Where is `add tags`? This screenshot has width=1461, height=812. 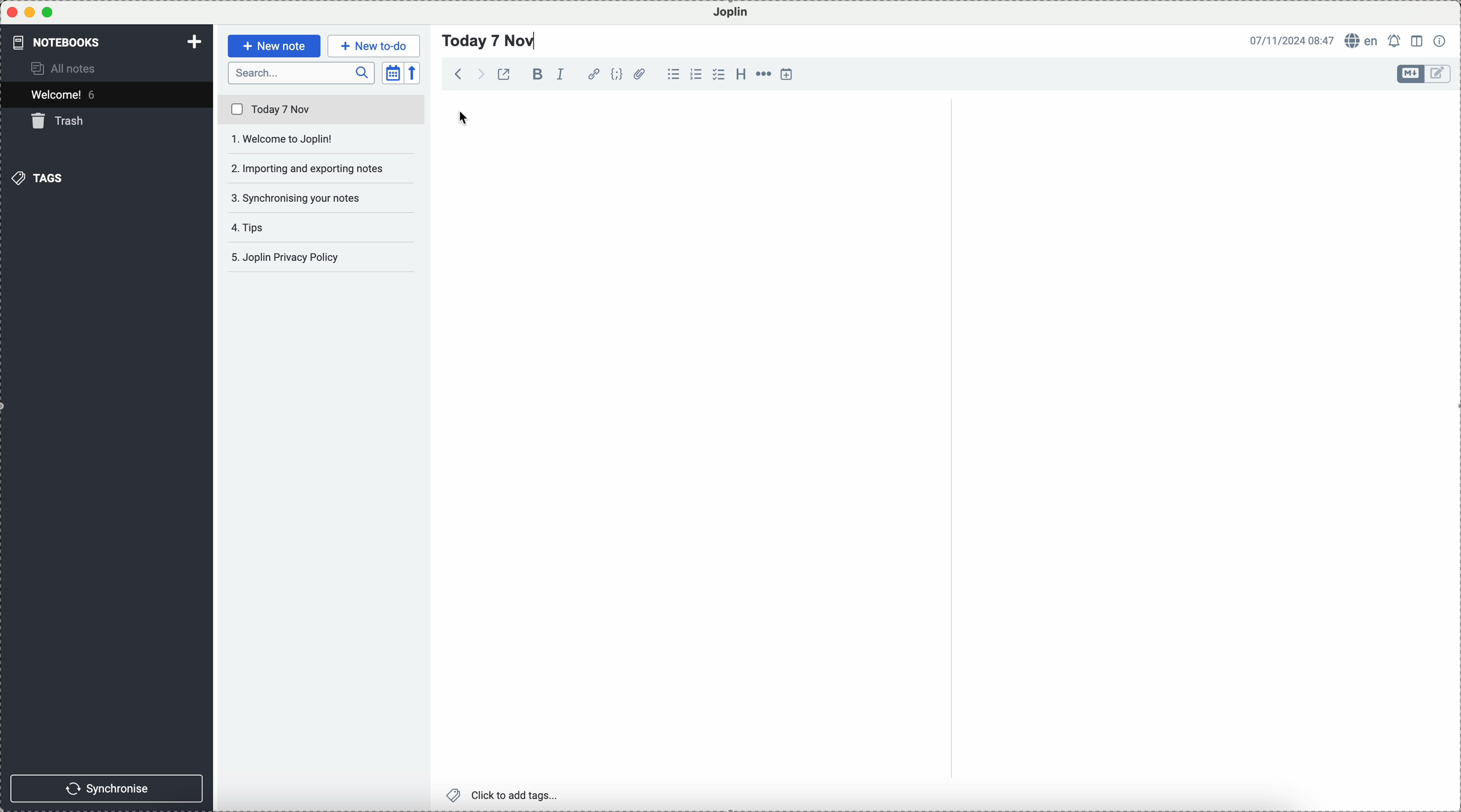 add tags is located at coordinates (504, 796).